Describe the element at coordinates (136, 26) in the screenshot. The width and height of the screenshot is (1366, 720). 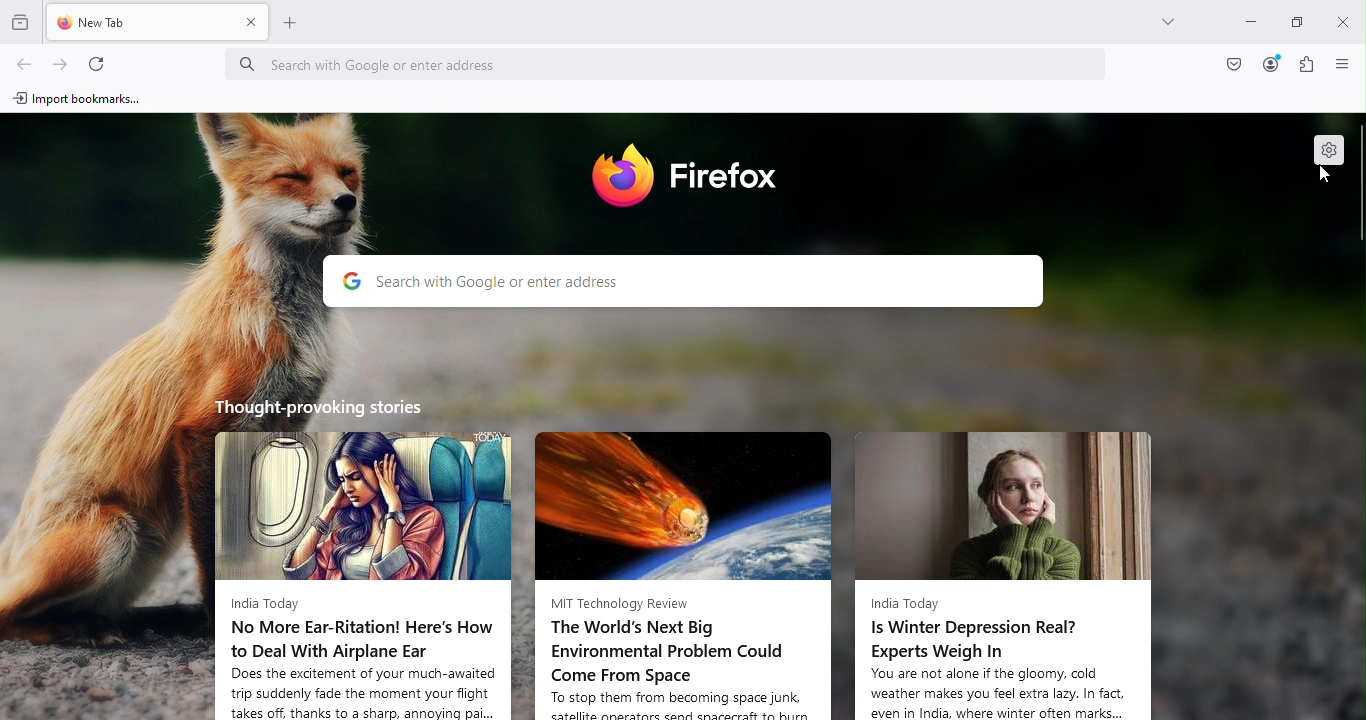
I see `New tab` at that location.